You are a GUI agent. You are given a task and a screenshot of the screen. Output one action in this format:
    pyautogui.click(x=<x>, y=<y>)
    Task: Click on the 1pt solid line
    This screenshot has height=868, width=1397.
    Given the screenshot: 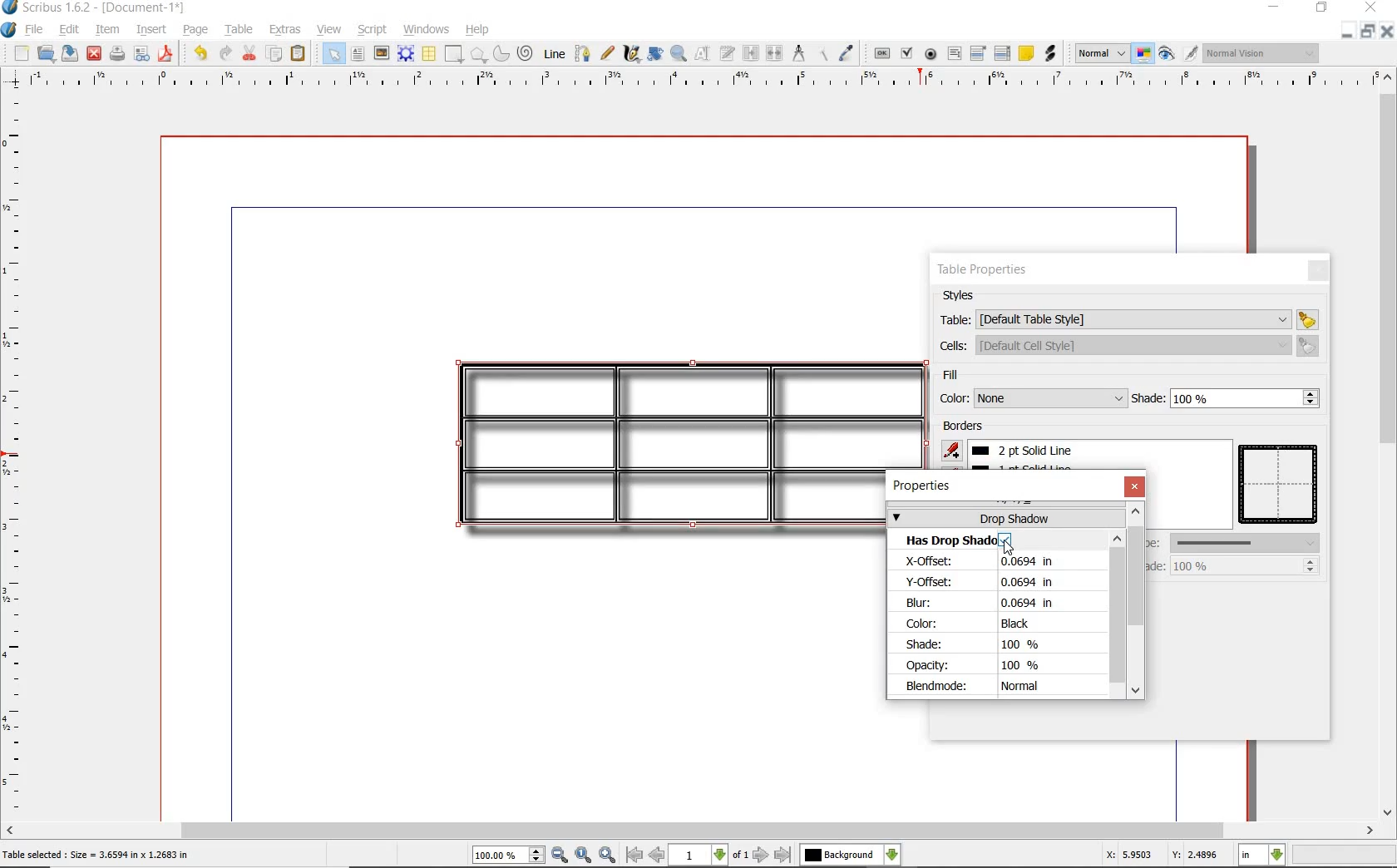 What is the action you would take?
    pyautogui.click(x=1031, y=451)
    